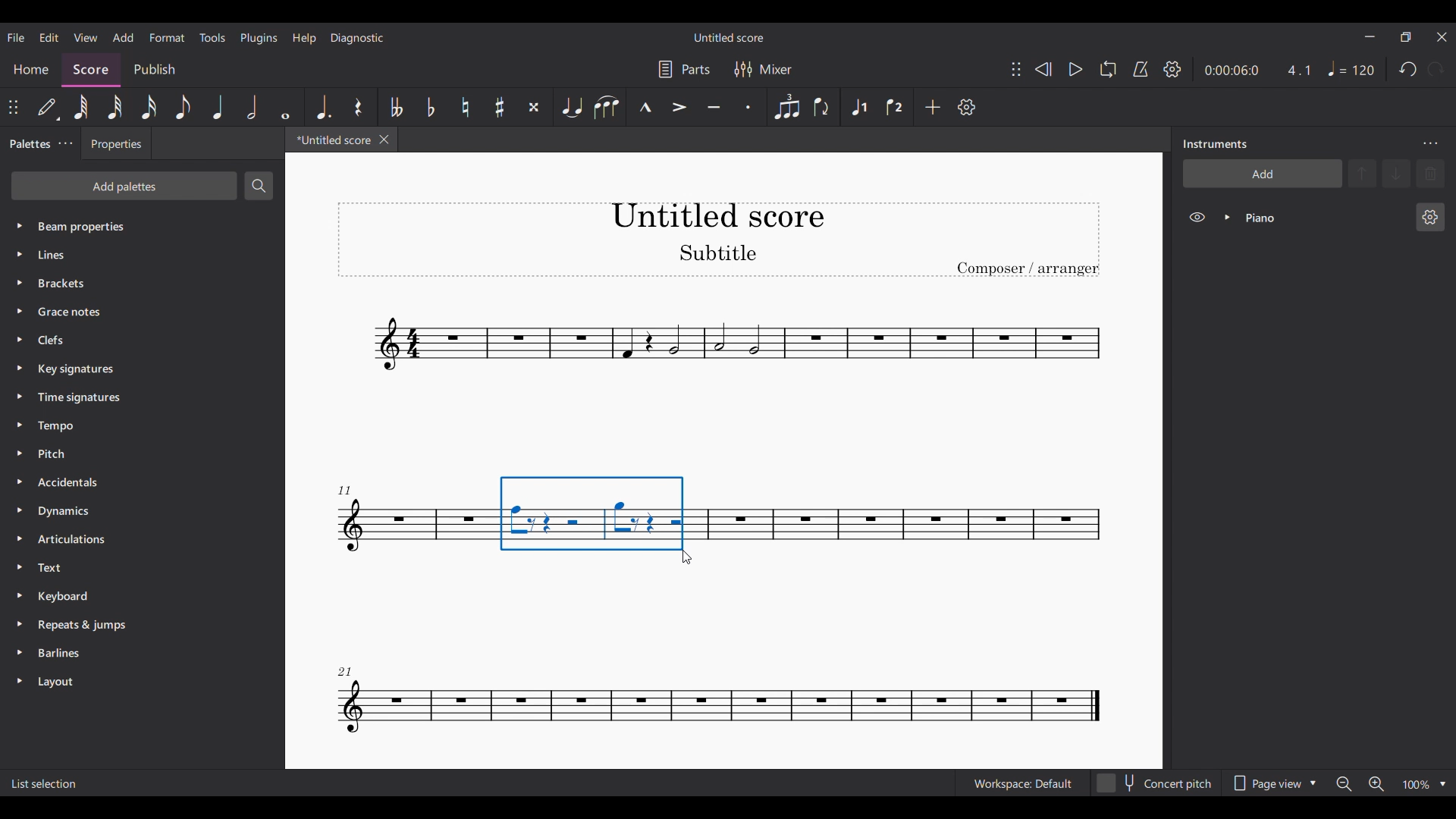 This screenshot has width=1456, height=819. Describe the element at coordinates (14, 107) in the screenshot. I see `Change position of toolbar` at that location.